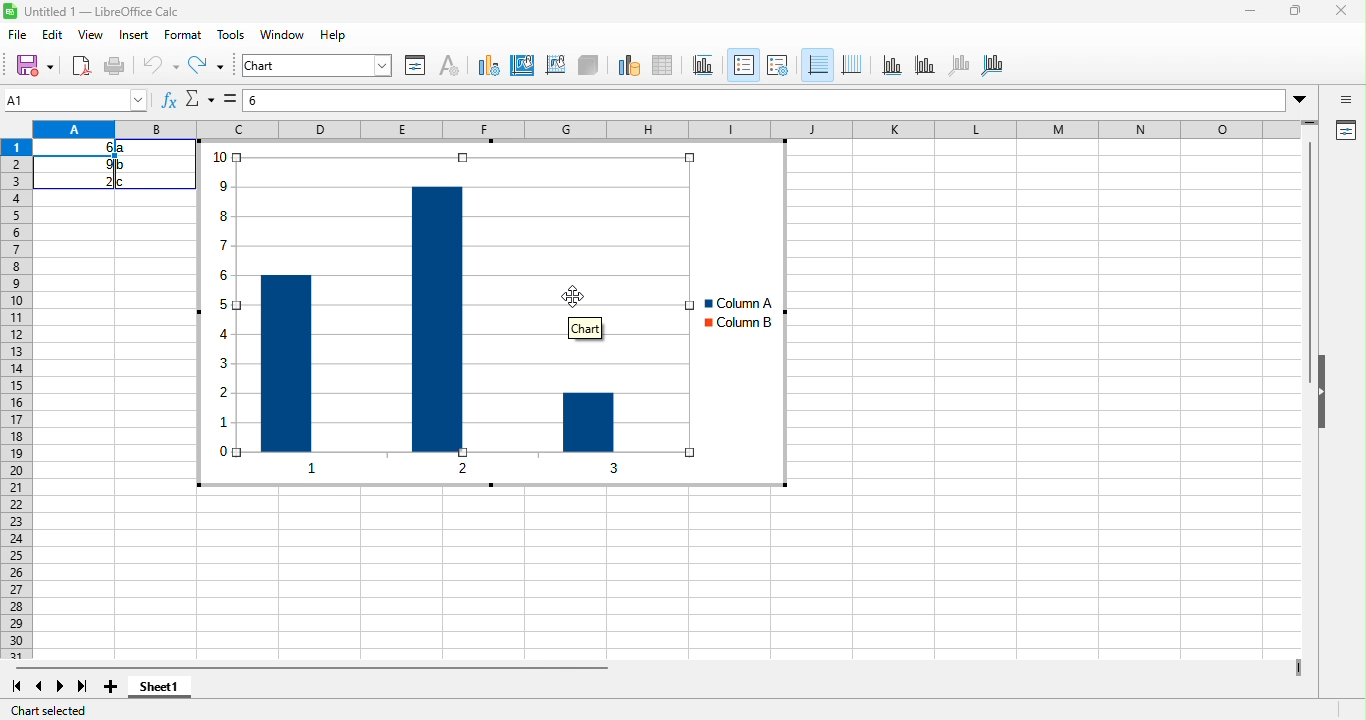  Describe the element at coordinates (583, 296) in the screenshot. I see `cursor` at that location.